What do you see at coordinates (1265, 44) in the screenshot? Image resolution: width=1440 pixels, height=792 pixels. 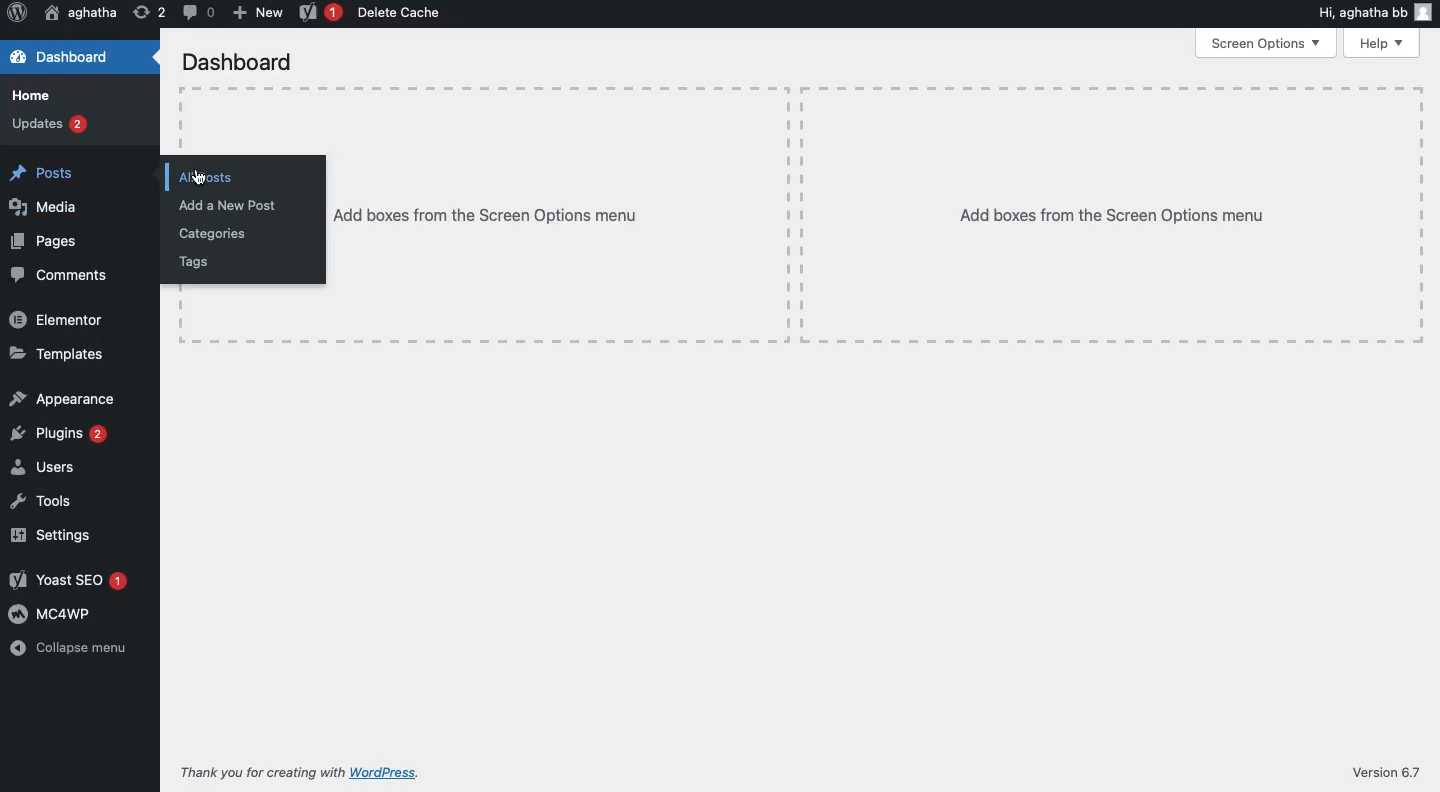 I see `Screen Options` at bounding box center [1265, 44].